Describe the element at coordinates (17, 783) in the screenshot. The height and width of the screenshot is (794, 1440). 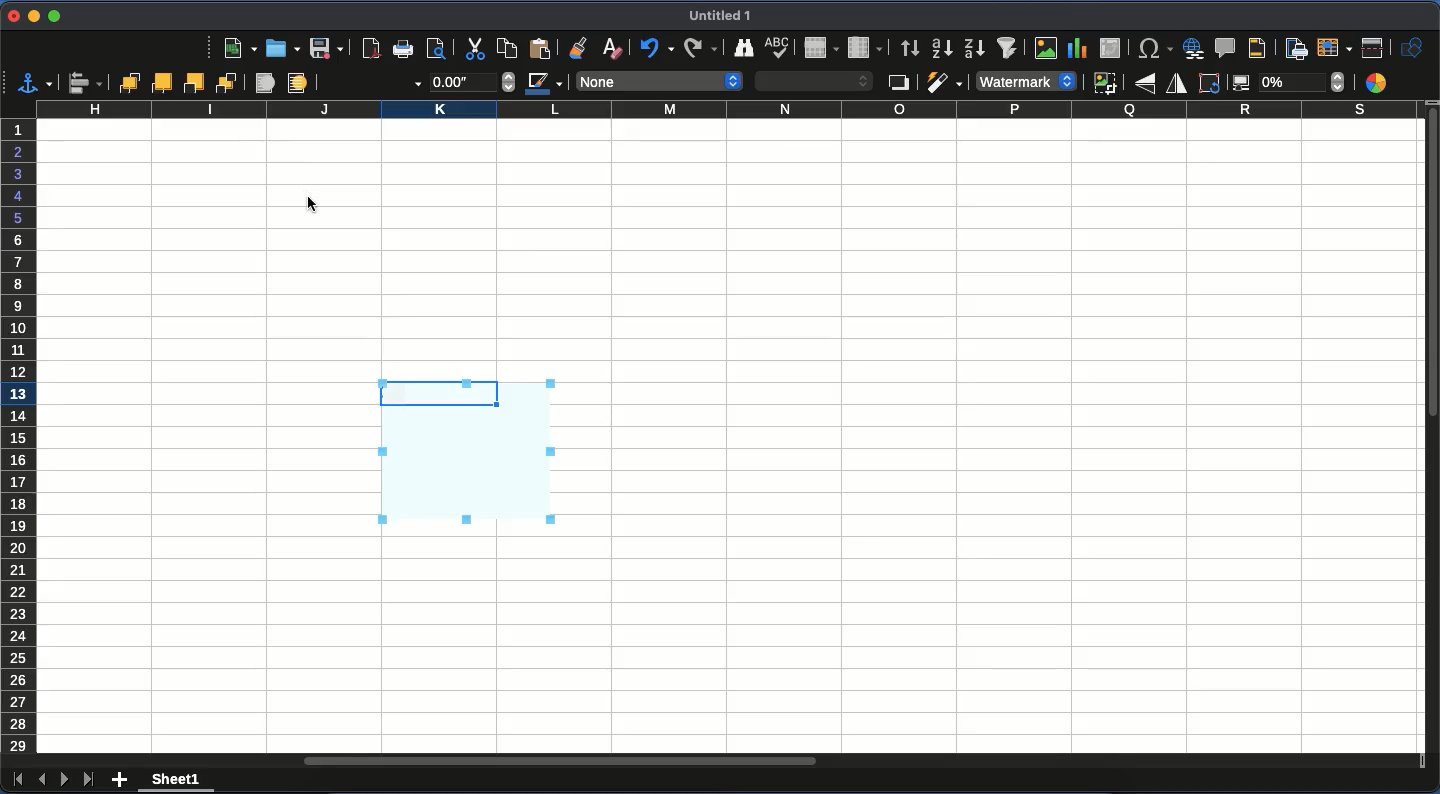
I see `first sheet` at that location.